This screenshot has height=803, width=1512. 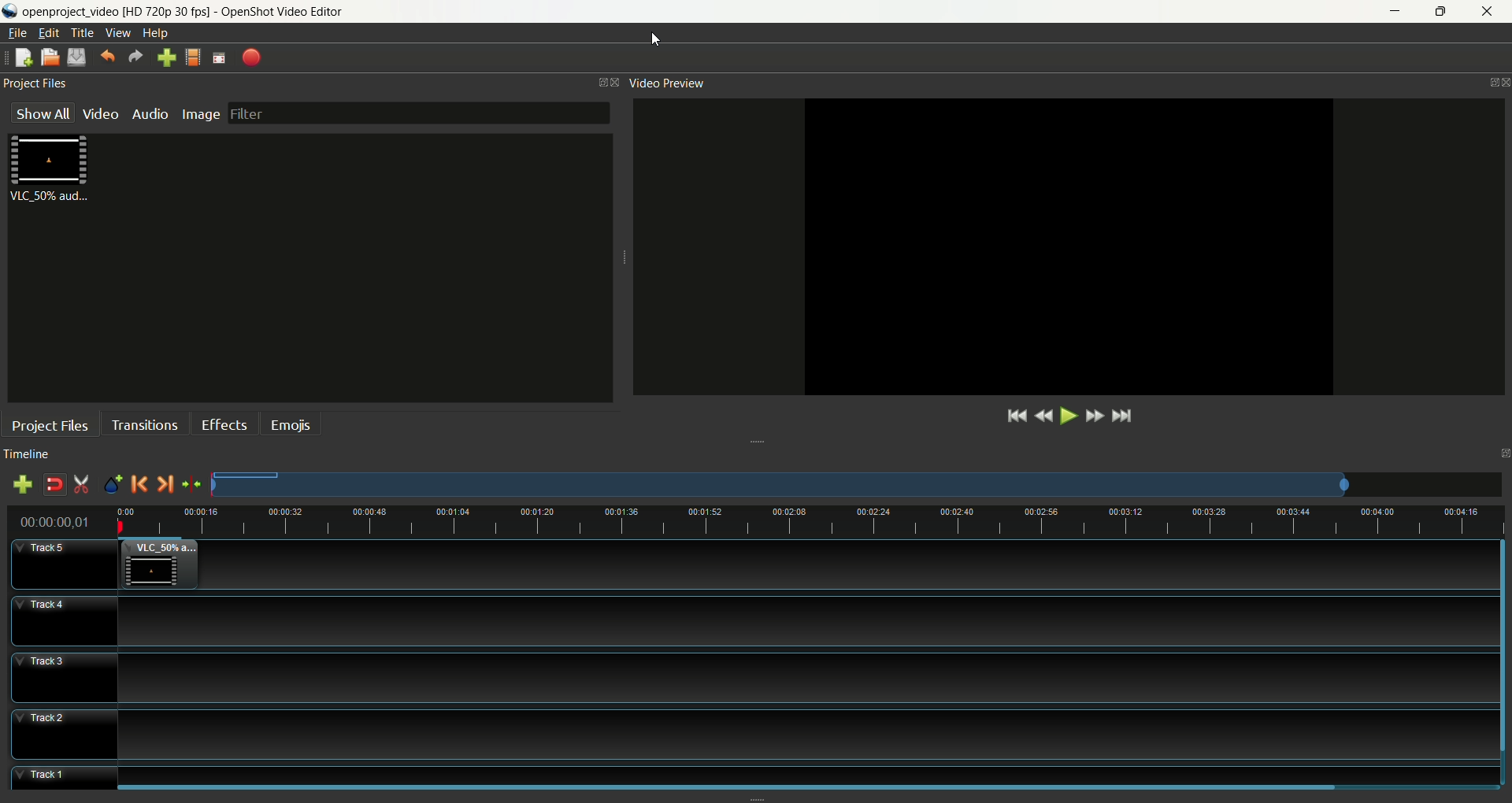 I want to click on zoom factor, so click(x=856, y=484).